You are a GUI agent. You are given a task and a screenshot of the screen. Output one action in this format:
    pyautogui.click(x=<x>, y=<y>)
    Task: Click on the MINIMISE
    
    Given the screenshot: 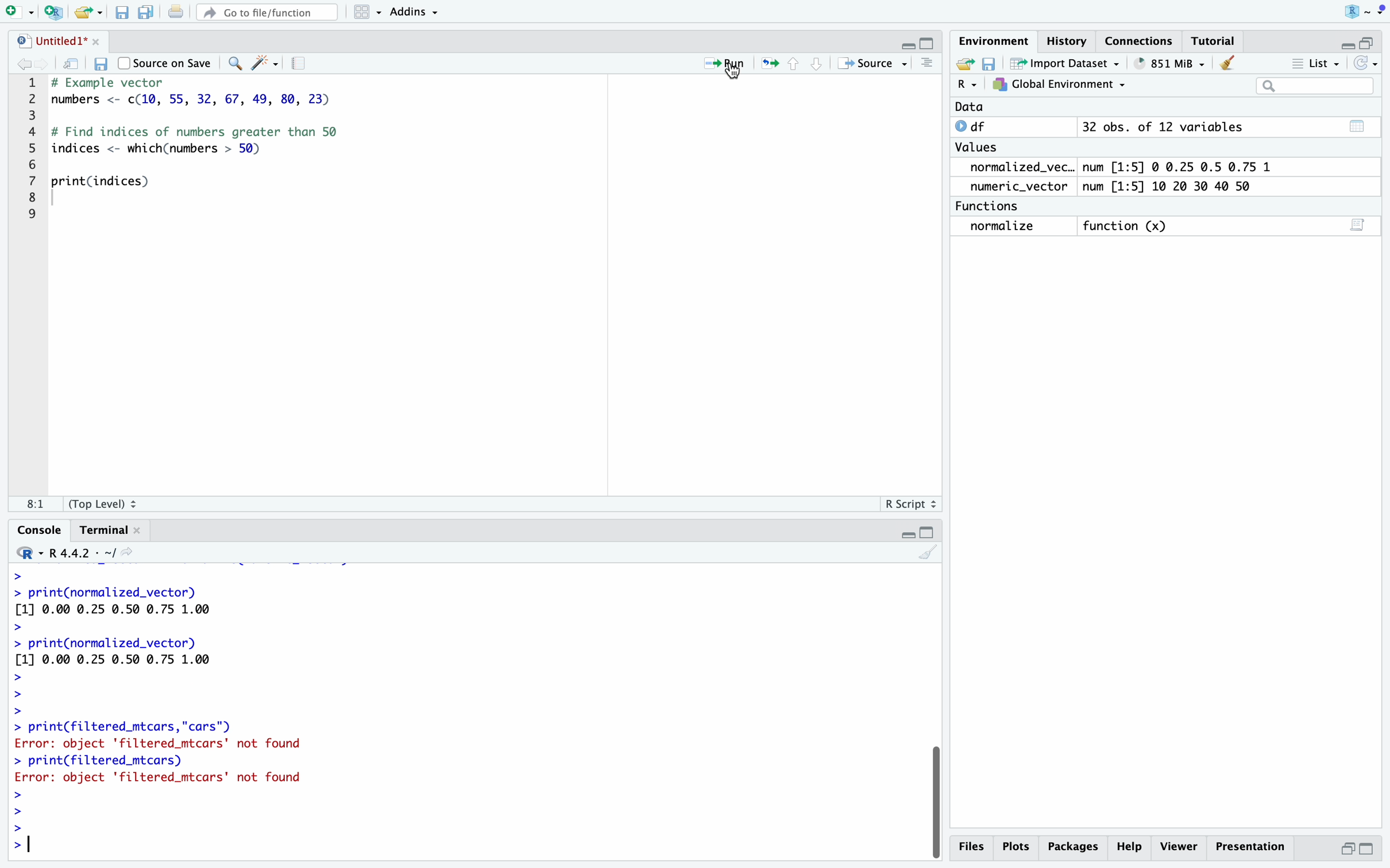 What is the action you would take?
    pyautogui.click(x=1343, y=42)
    